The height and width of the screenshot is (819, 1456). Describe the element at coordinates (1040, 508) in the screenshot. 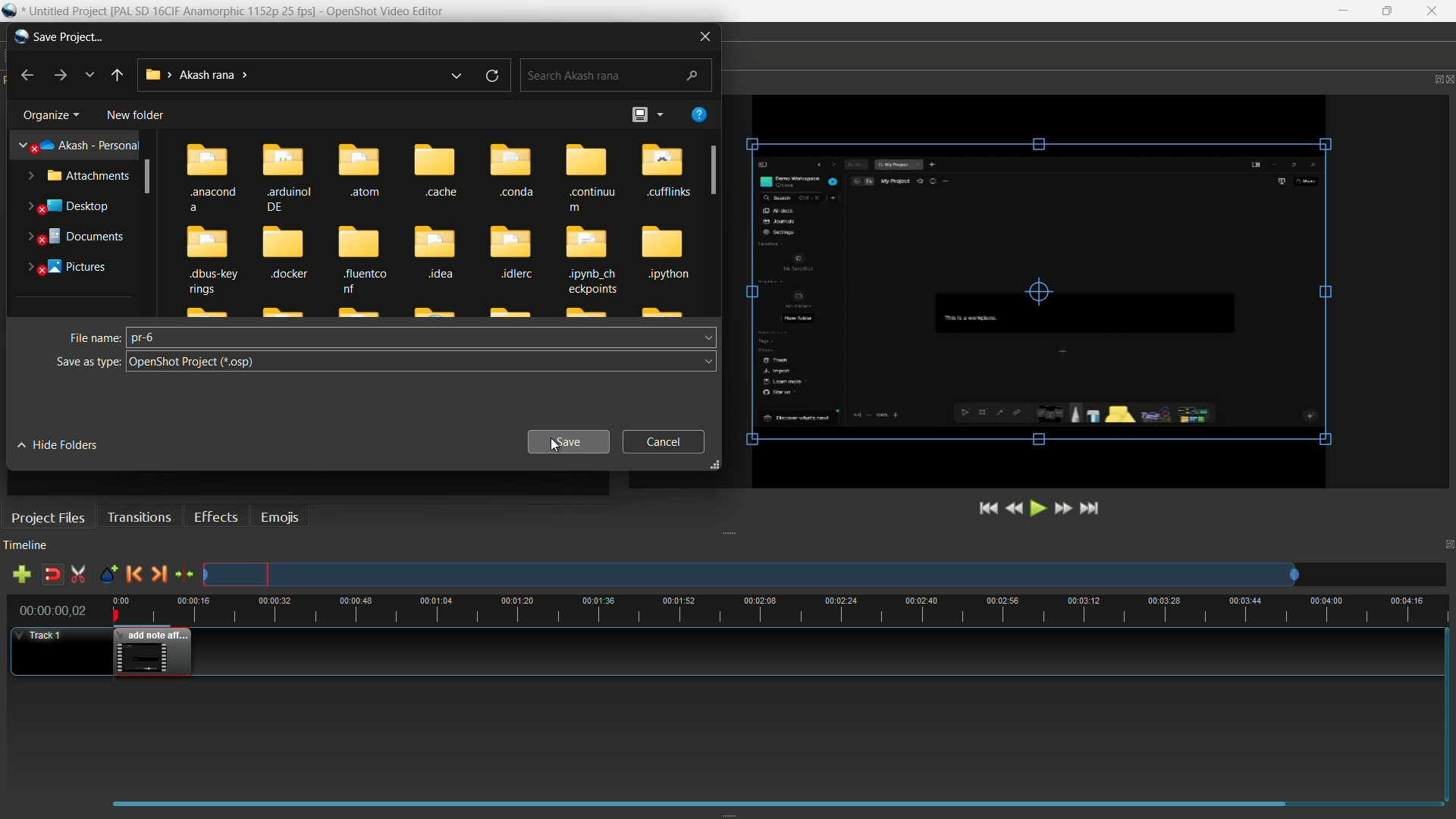

I see `play or pause` at that location.